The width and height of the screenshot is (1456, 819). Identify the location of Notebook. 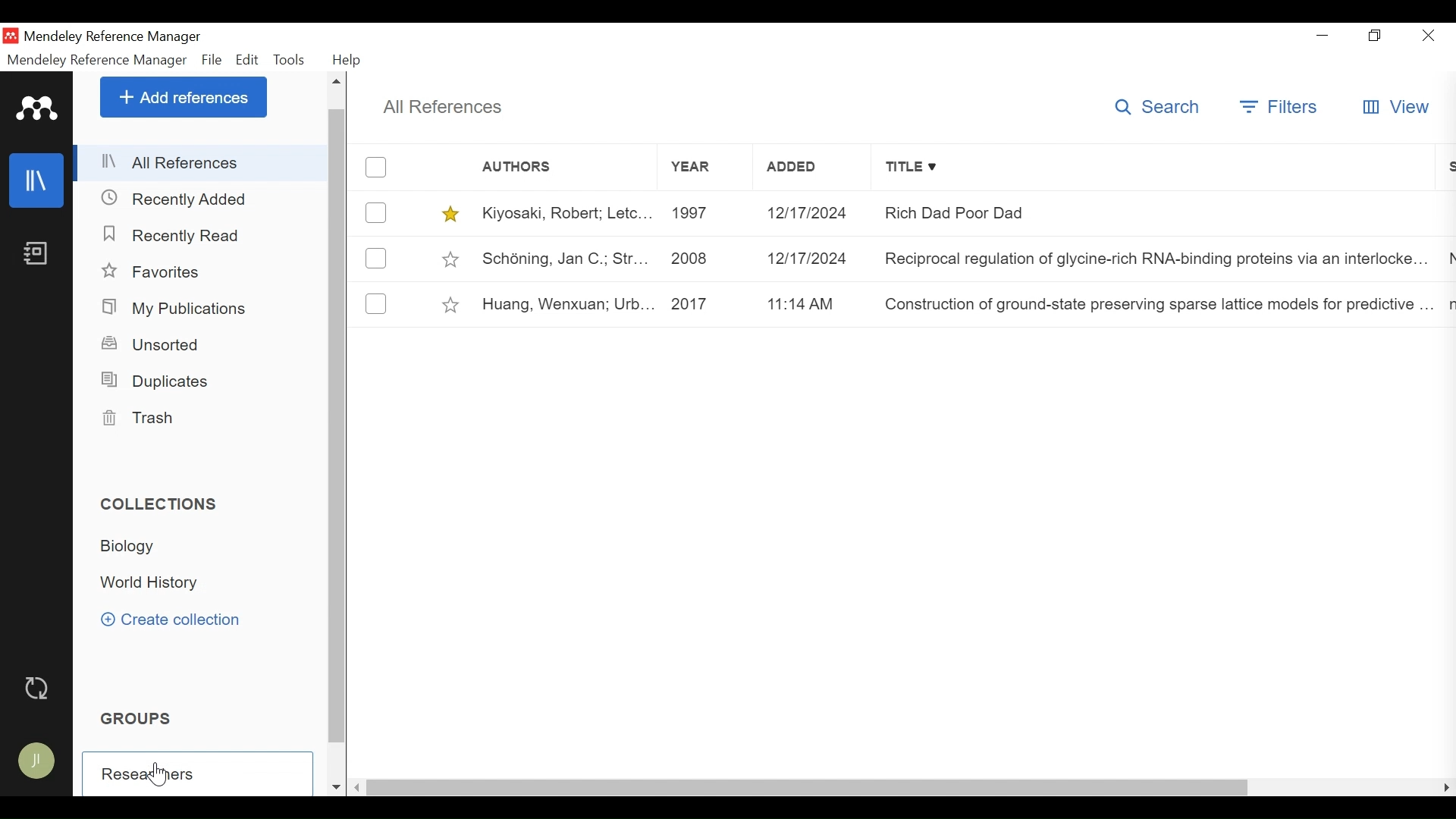
(37, 255).